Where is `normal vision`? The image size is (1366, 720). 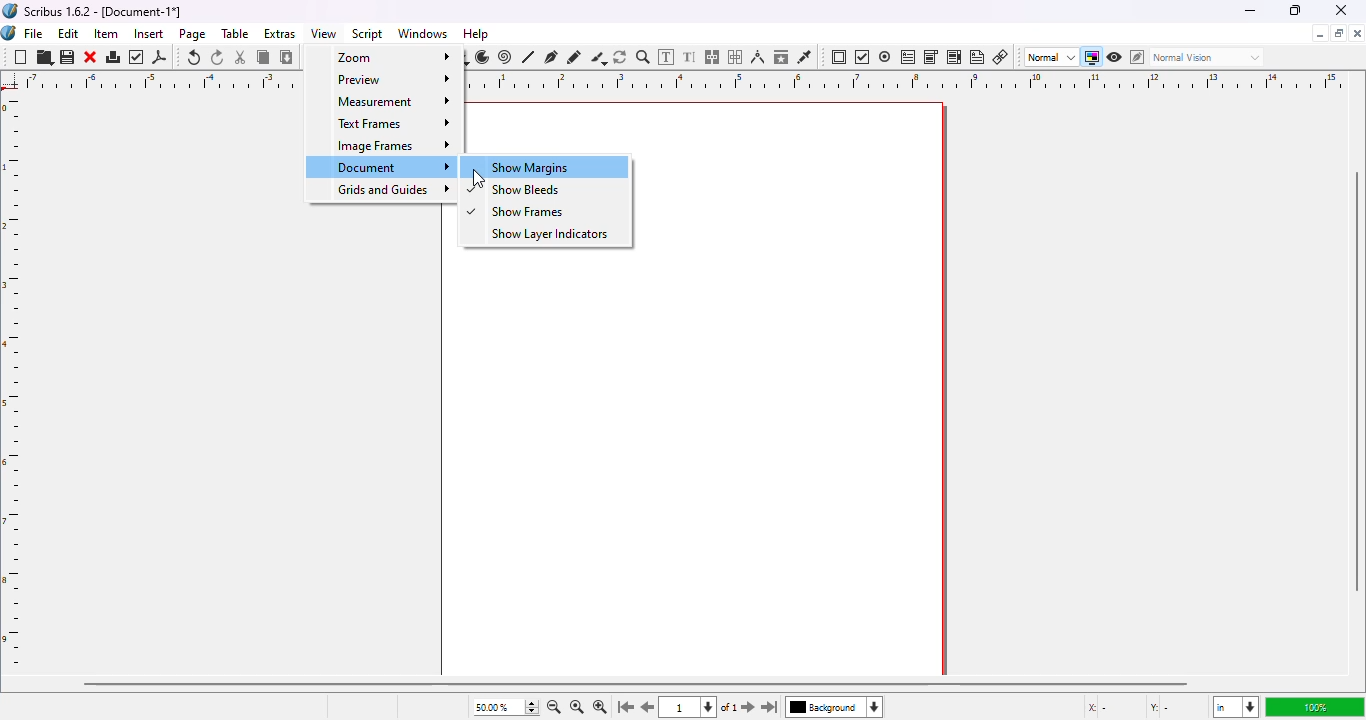 normal vision is located at coordinates (1209, 57).